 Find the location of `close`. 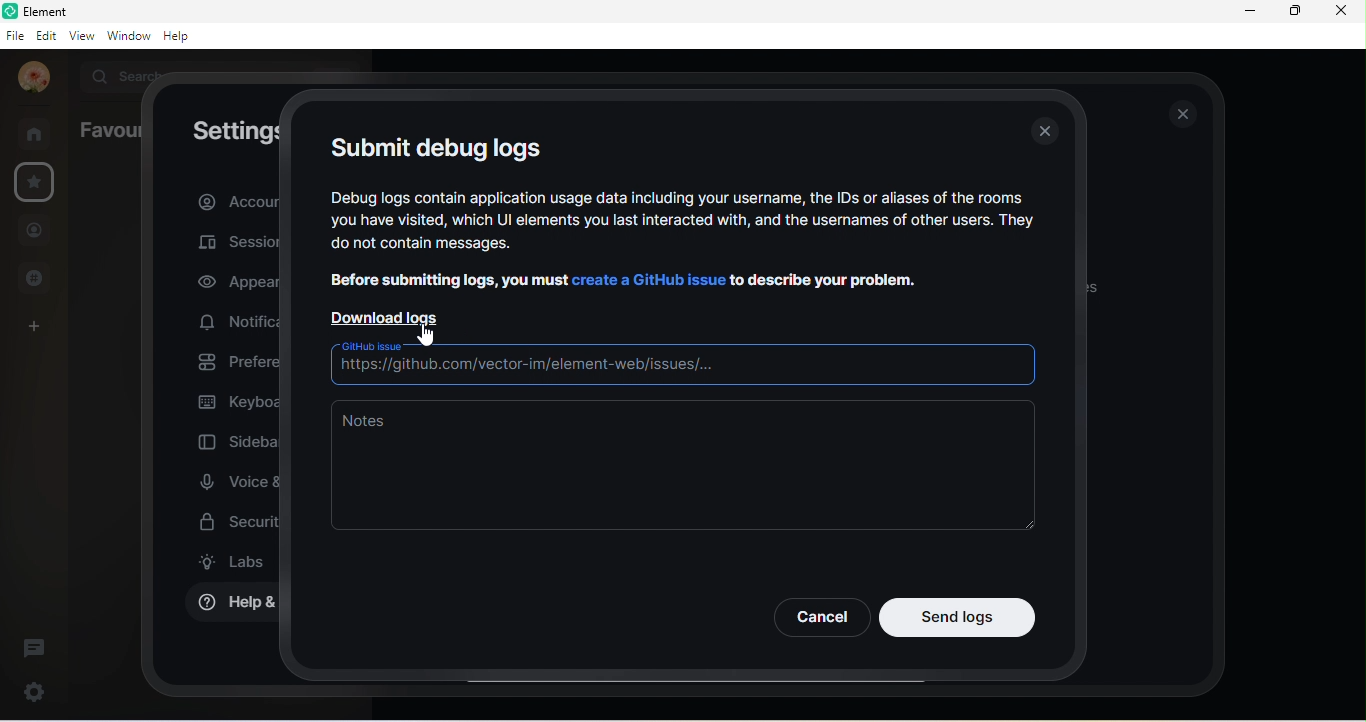

close is located at coordinates (1340, 10).